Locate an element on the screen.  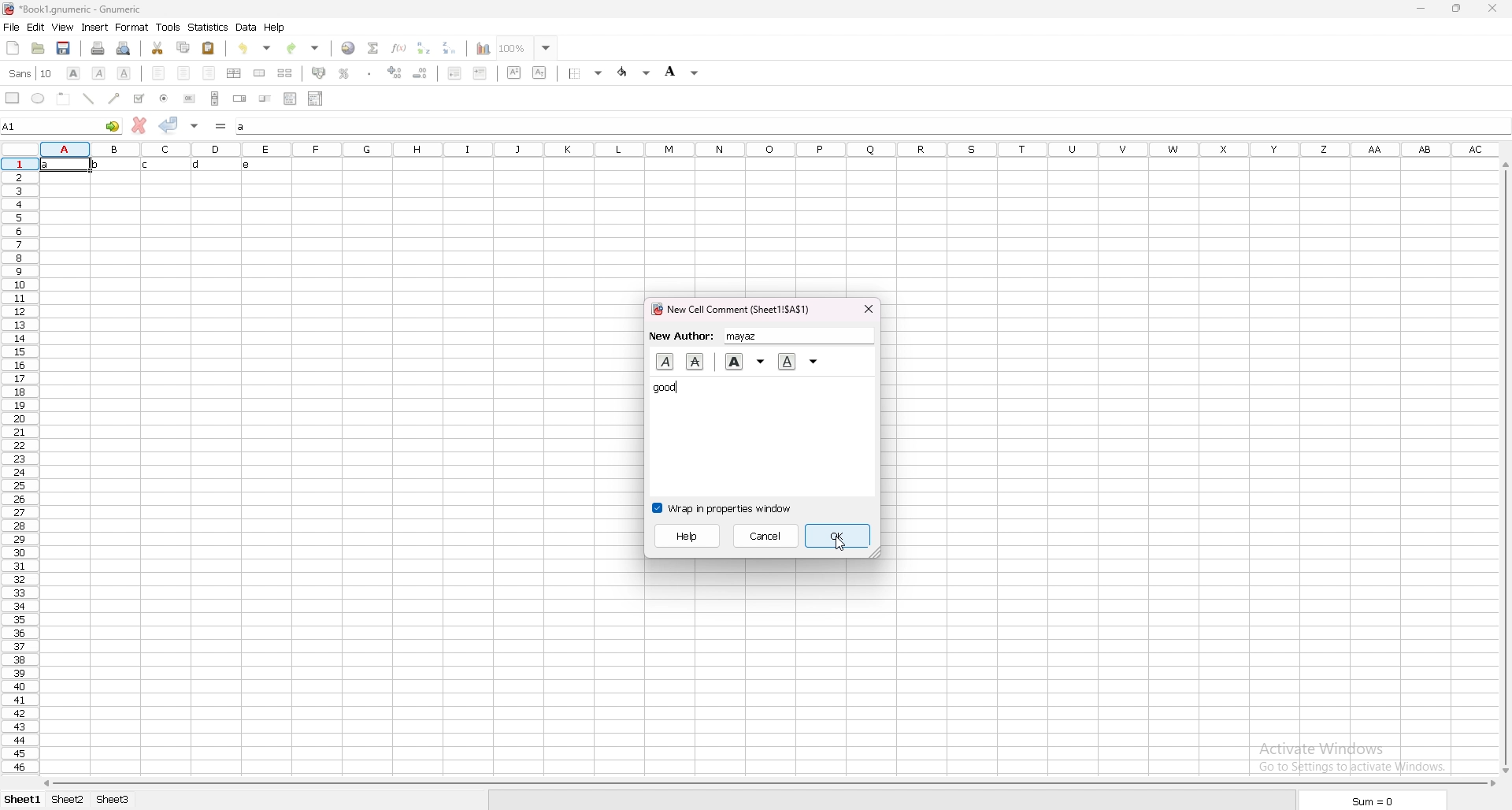
increase indent is located at coordinates (480, 73).